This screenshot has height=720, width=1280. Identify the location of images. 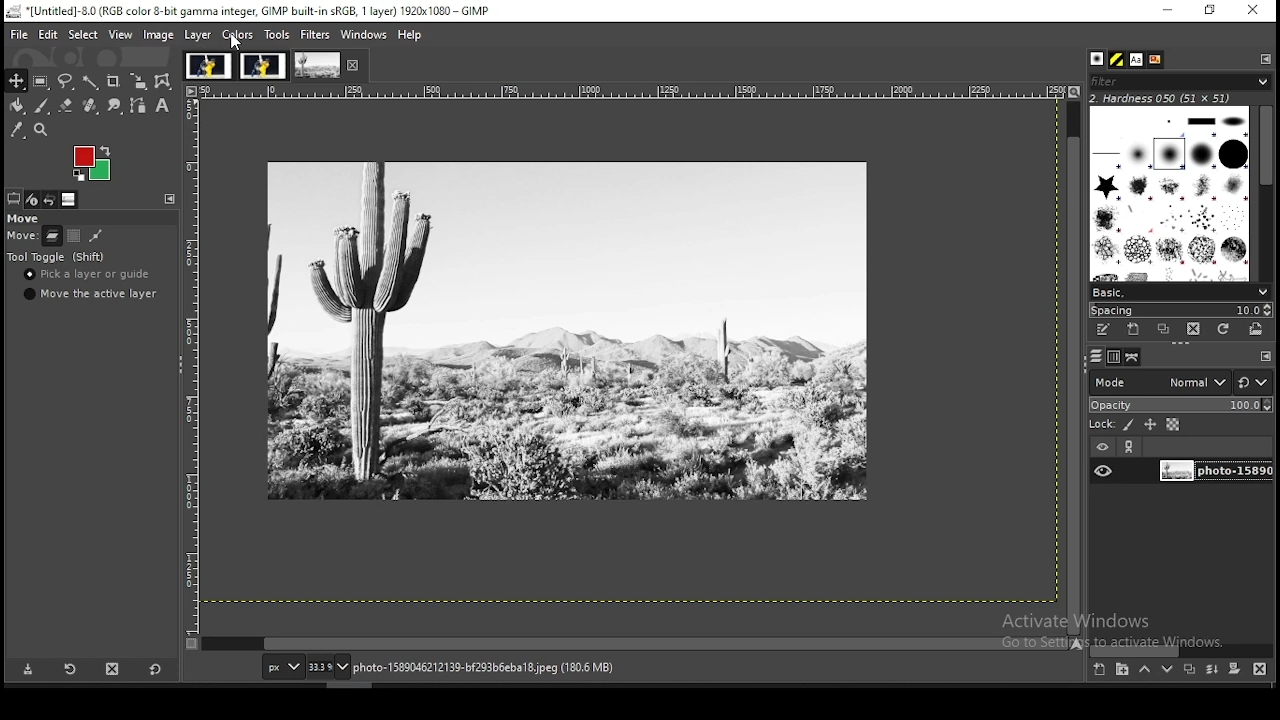
(70, 200).